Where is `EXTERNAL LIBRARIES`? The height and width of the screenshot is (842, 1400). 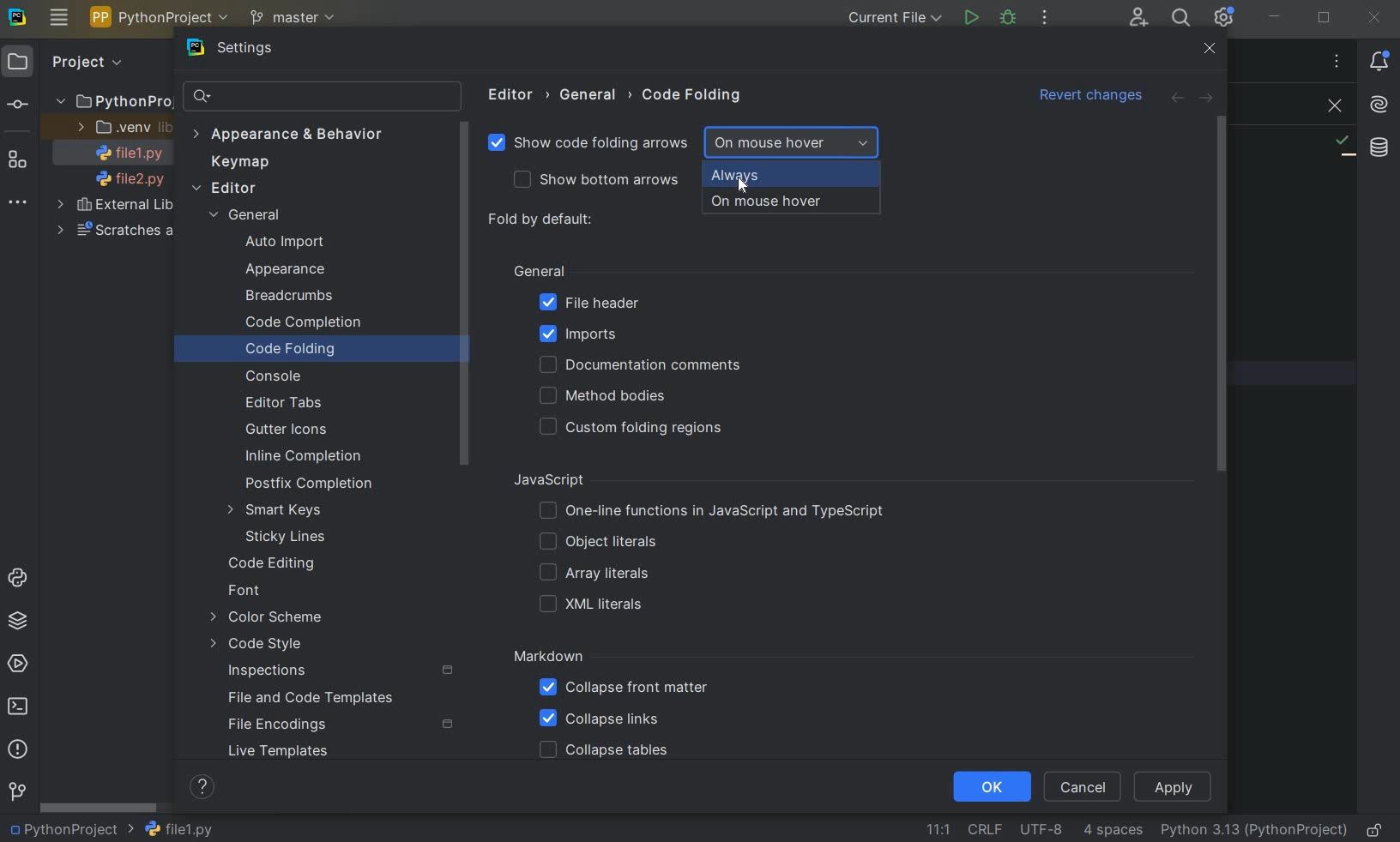
EXTERNAL LIBRARIES is located at coordinates (117, 207).